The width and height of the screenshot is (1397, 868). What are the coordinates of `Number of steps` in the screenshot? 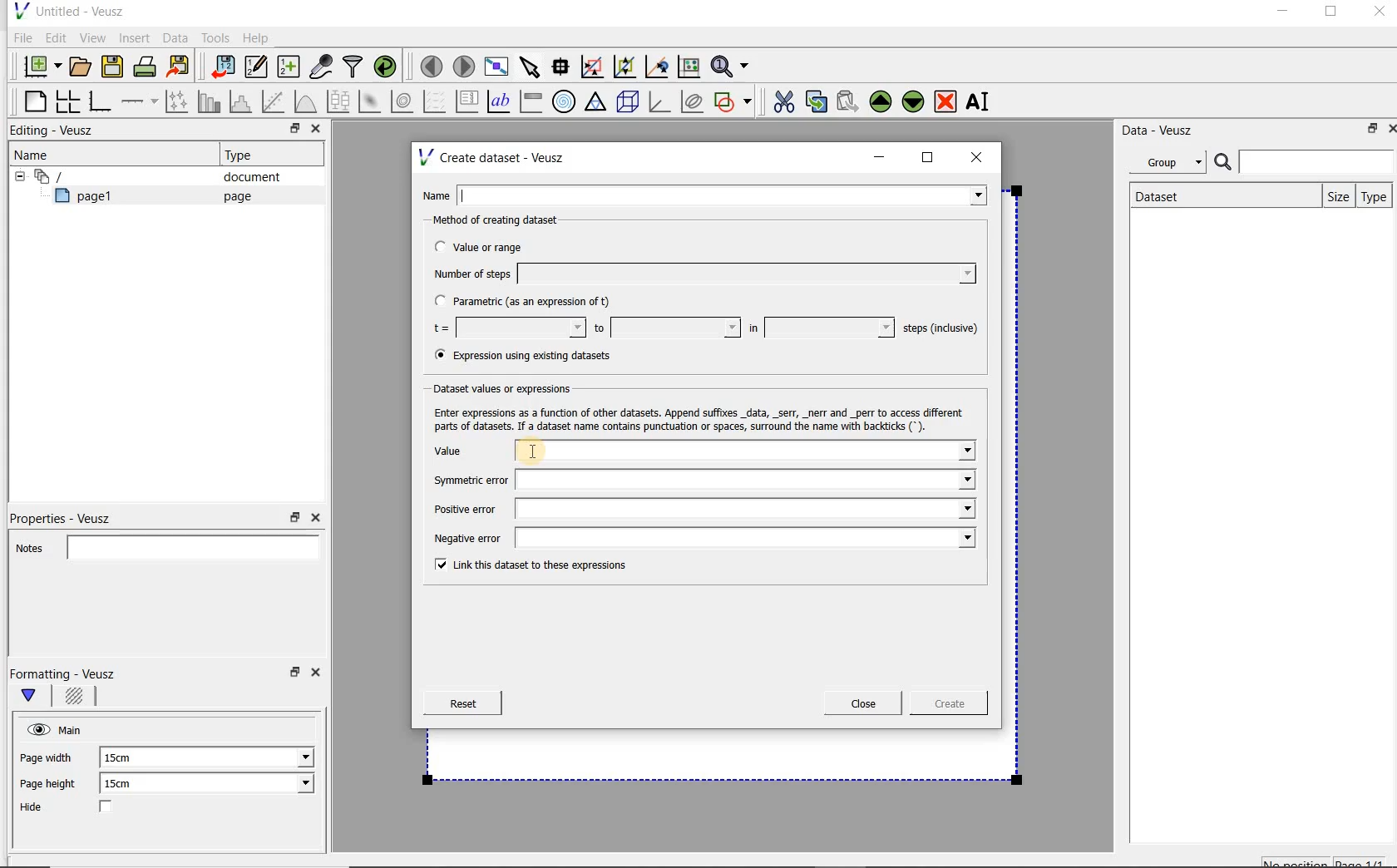 It's located at (699, 274).